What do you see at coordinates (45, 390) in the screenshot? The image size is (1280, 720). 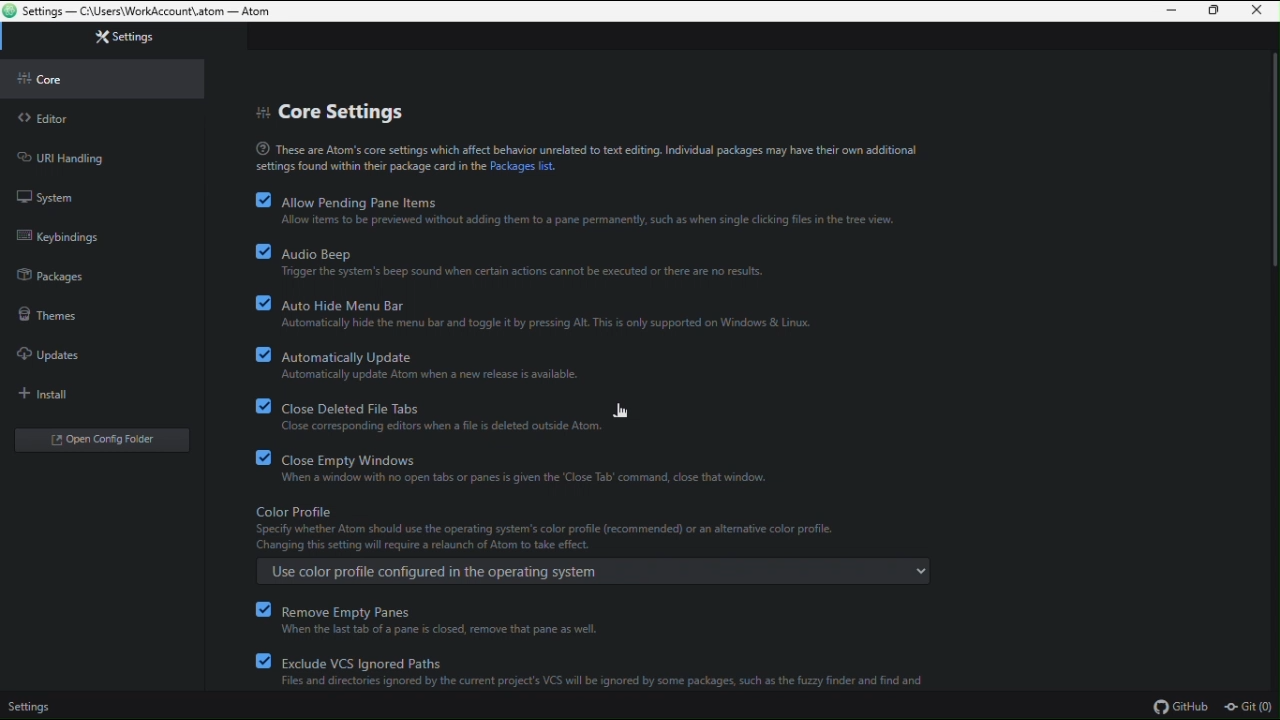 I see `install` at bounding box center [45, 390].